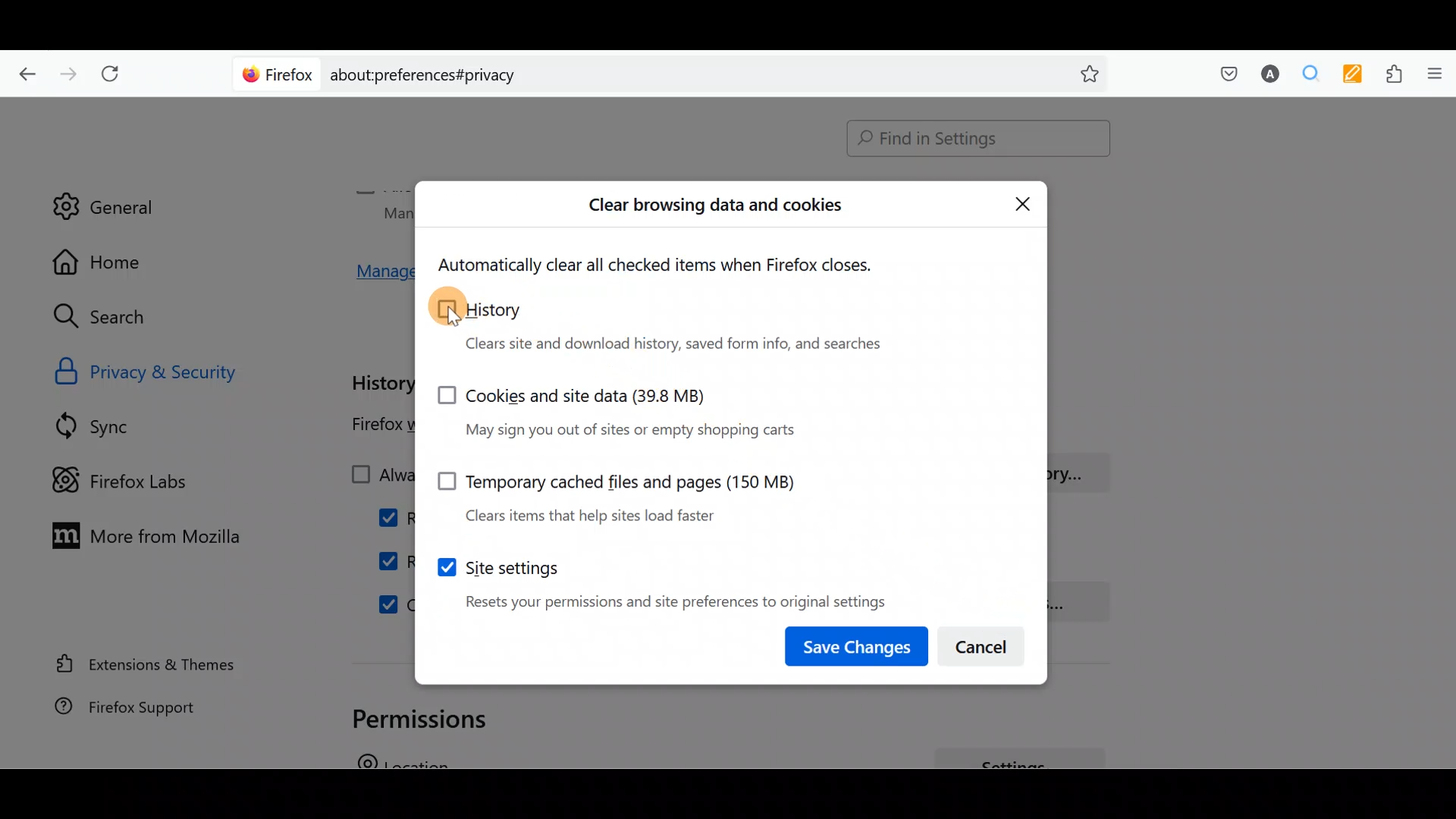  Describe the element at coordinates (104, 196) in the screenshot. I see `General` at that location.